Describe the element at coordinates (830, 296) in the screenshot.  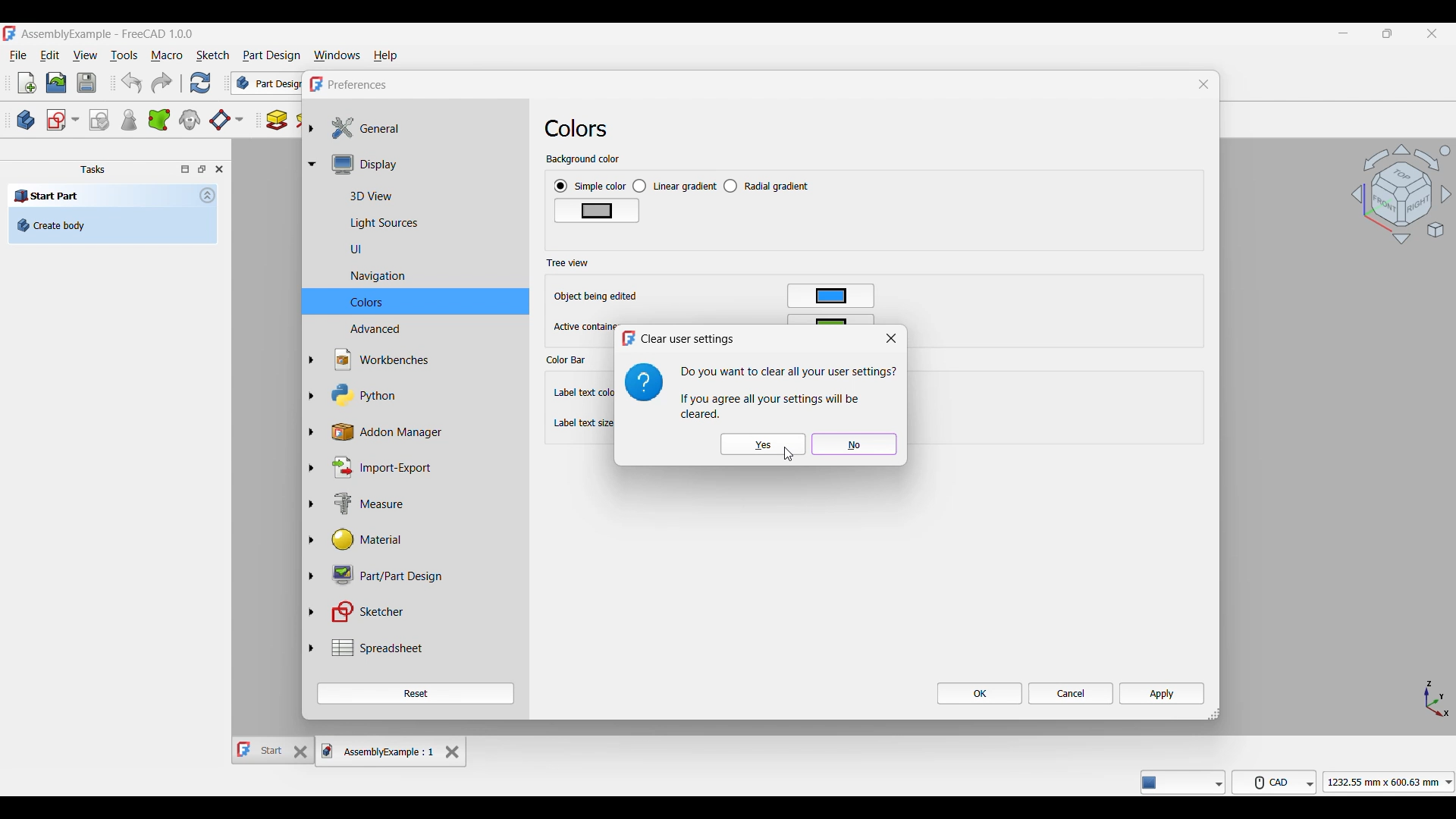
I see `Color settings for object being edited` at that location.